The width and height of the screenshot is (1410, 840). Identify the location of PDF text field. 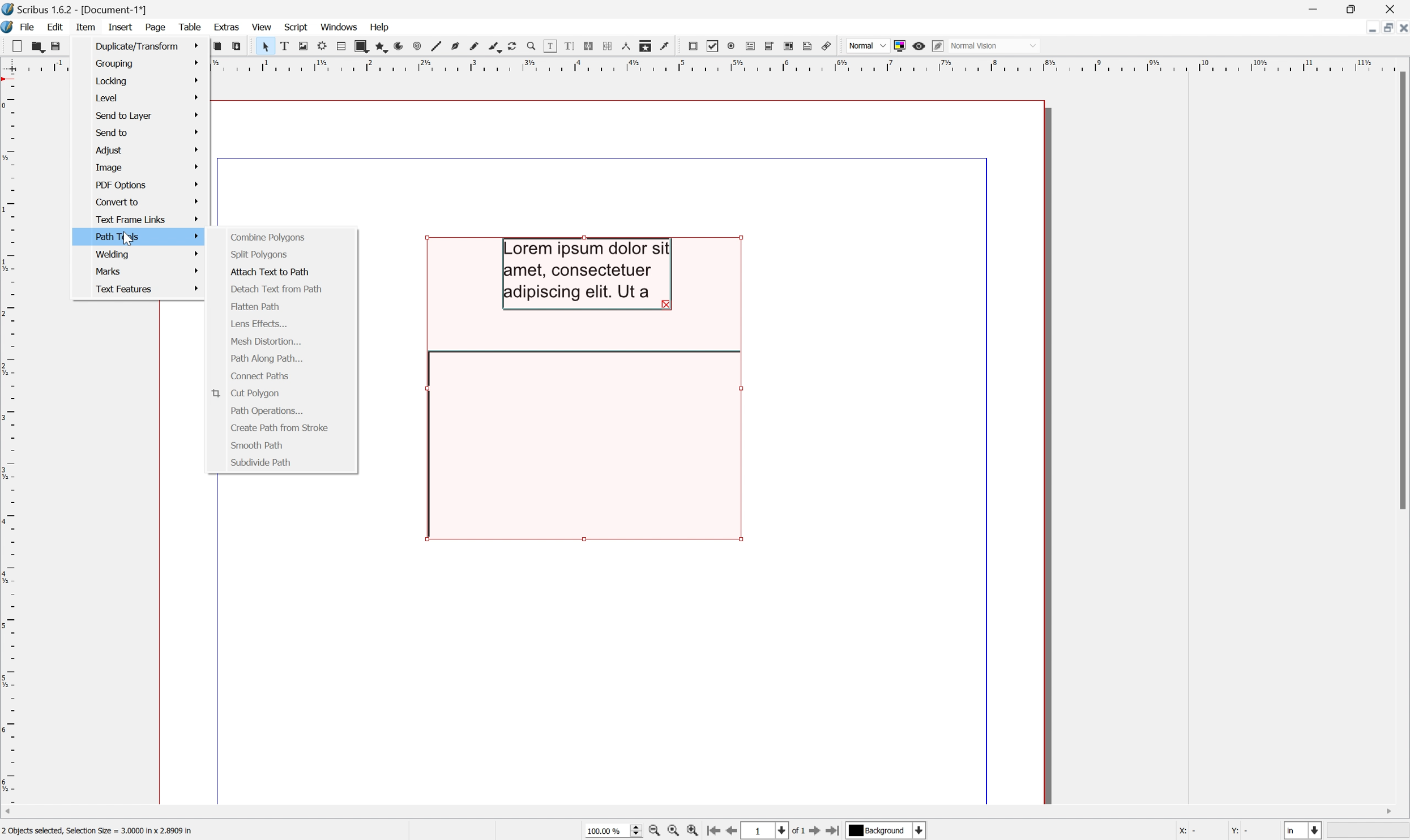
(748, 46).